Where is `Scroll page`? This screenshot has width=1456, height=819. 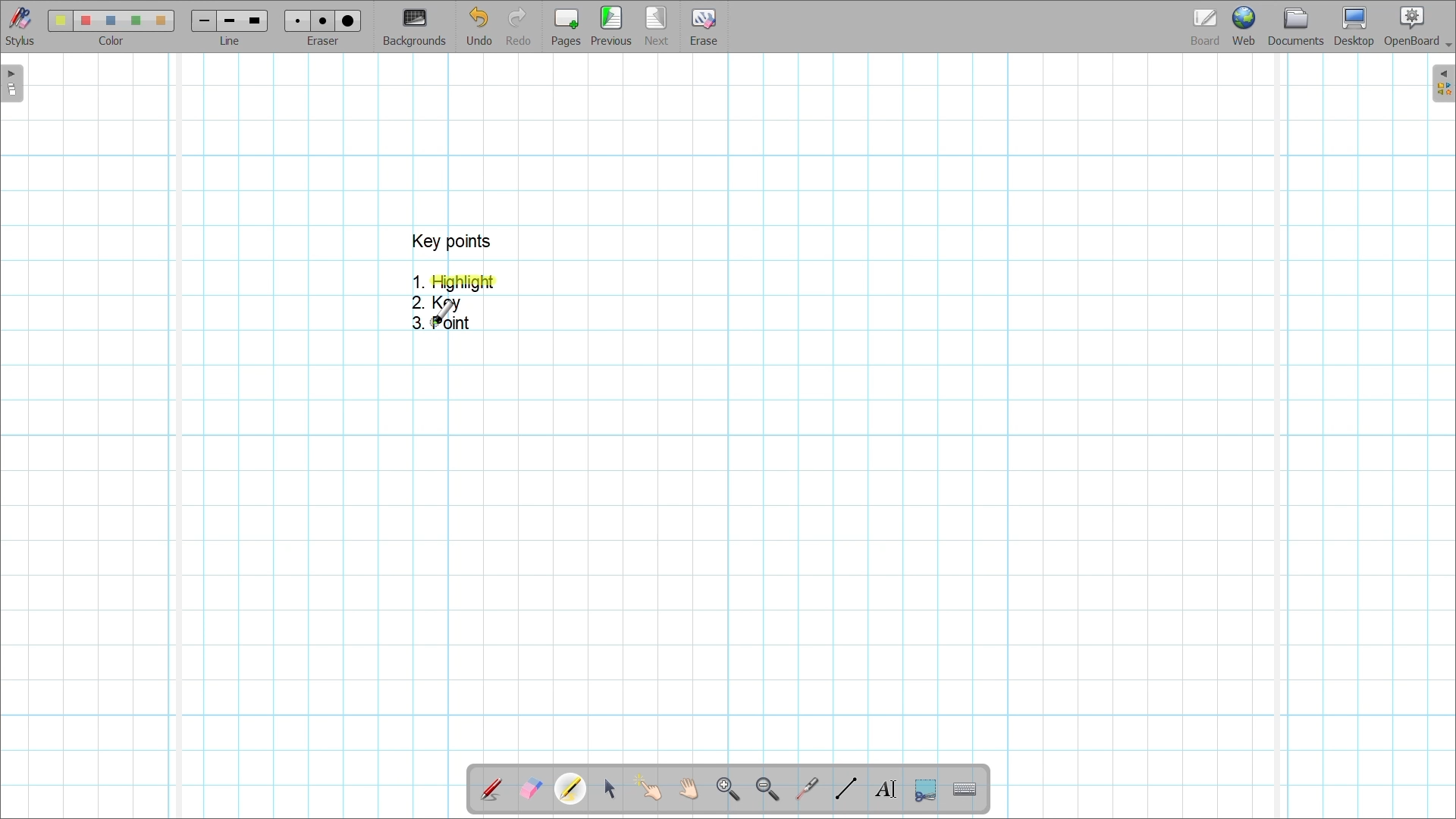
Scroll page is located at coordinates (688, 789).